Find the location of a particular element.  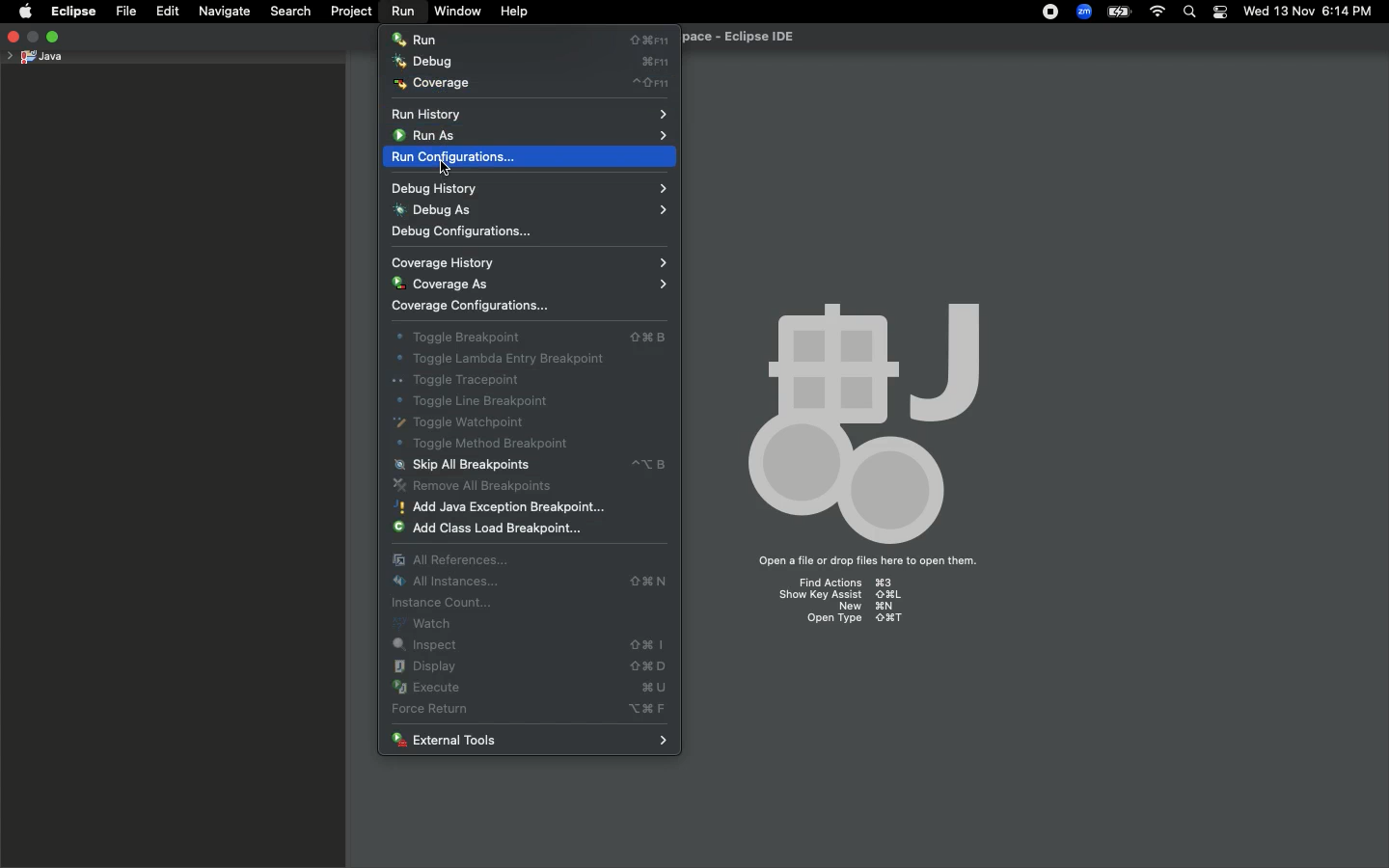

cursor is located at coordinates (445, 170).